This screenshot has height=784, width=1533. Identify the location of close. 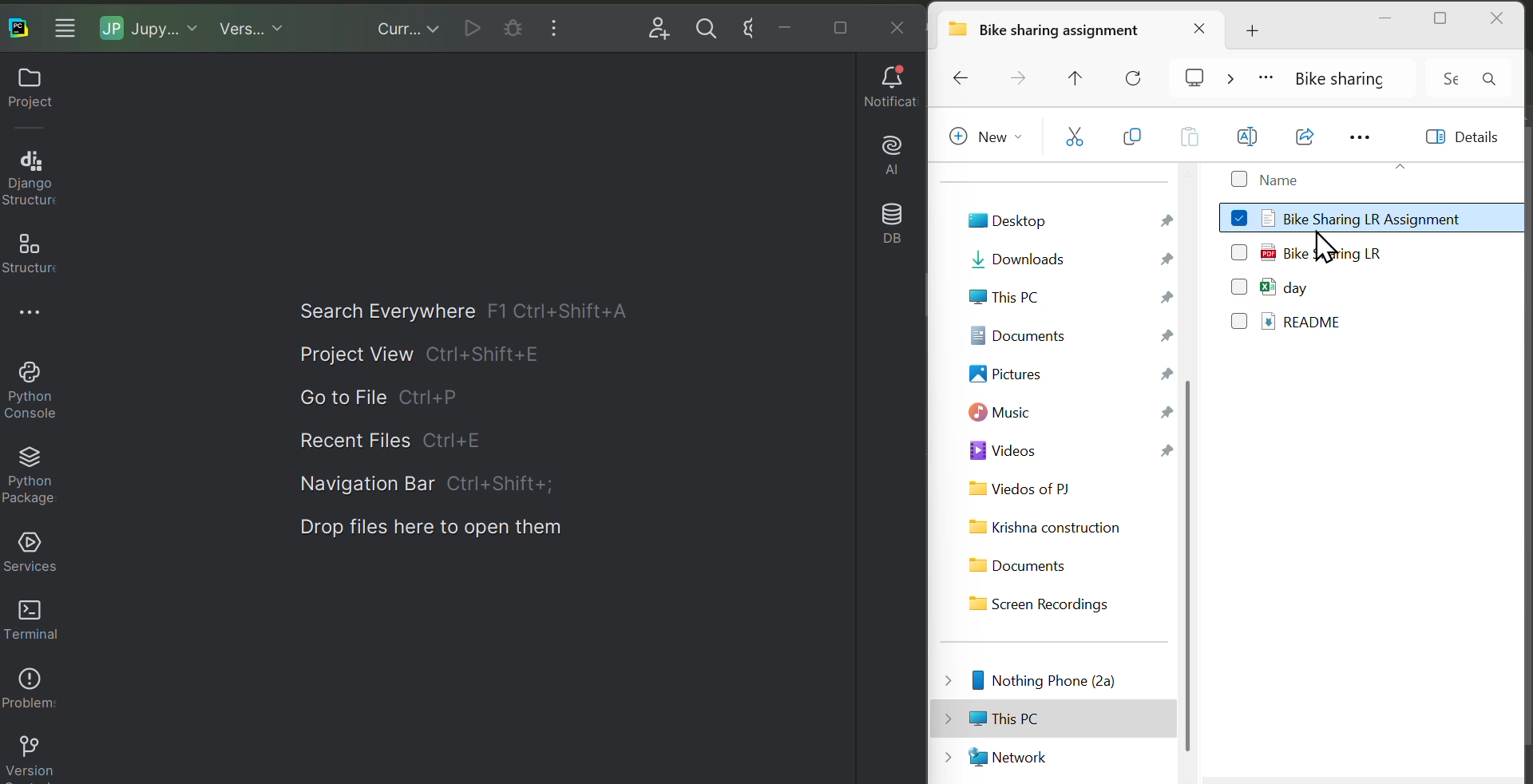
(1498, 21).